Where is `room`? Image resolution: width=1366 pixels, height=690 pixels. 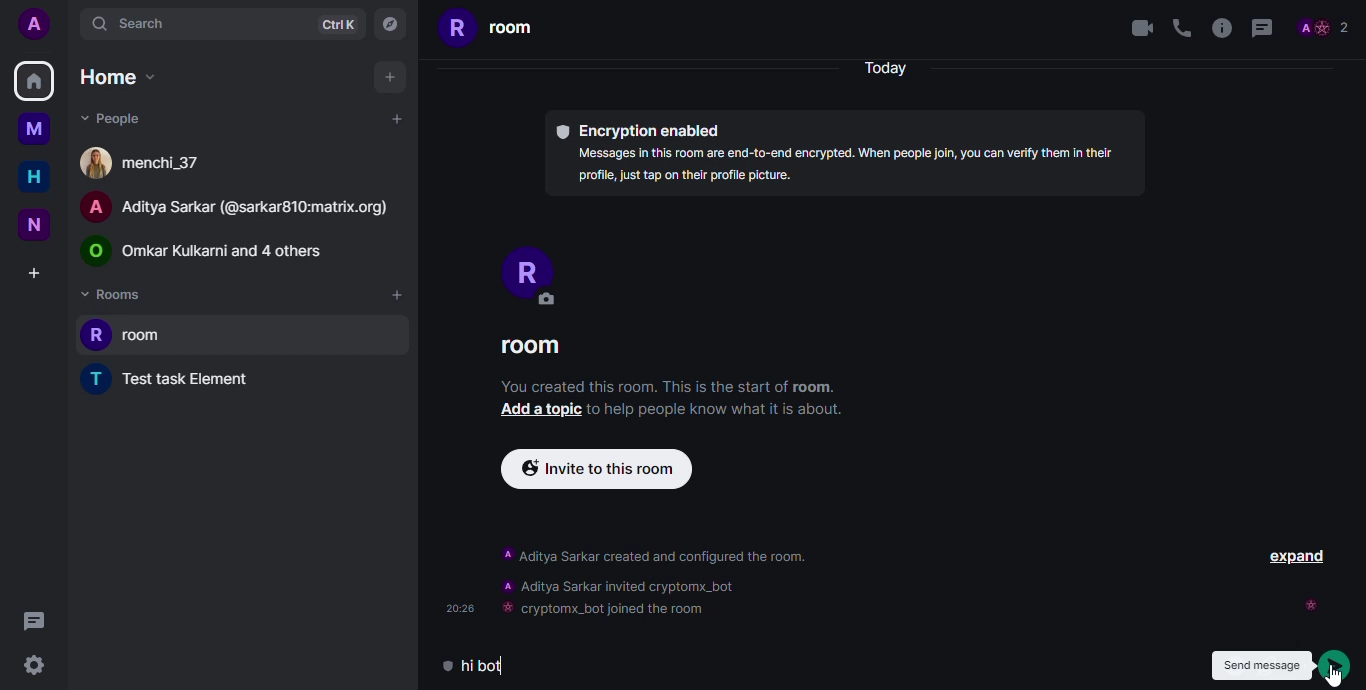
room is located at coordinates (129, 331).